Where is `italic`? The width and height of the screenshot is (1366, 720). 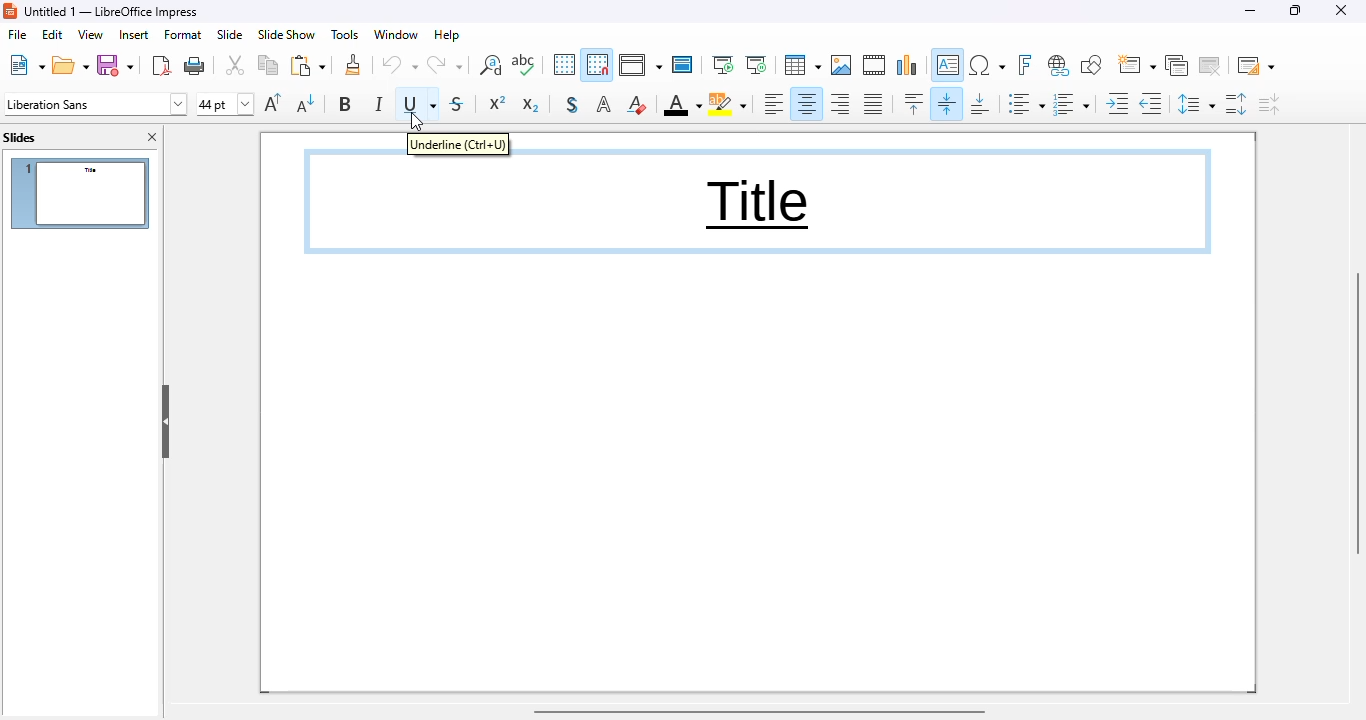 italic is located at coordinates (379, 103).